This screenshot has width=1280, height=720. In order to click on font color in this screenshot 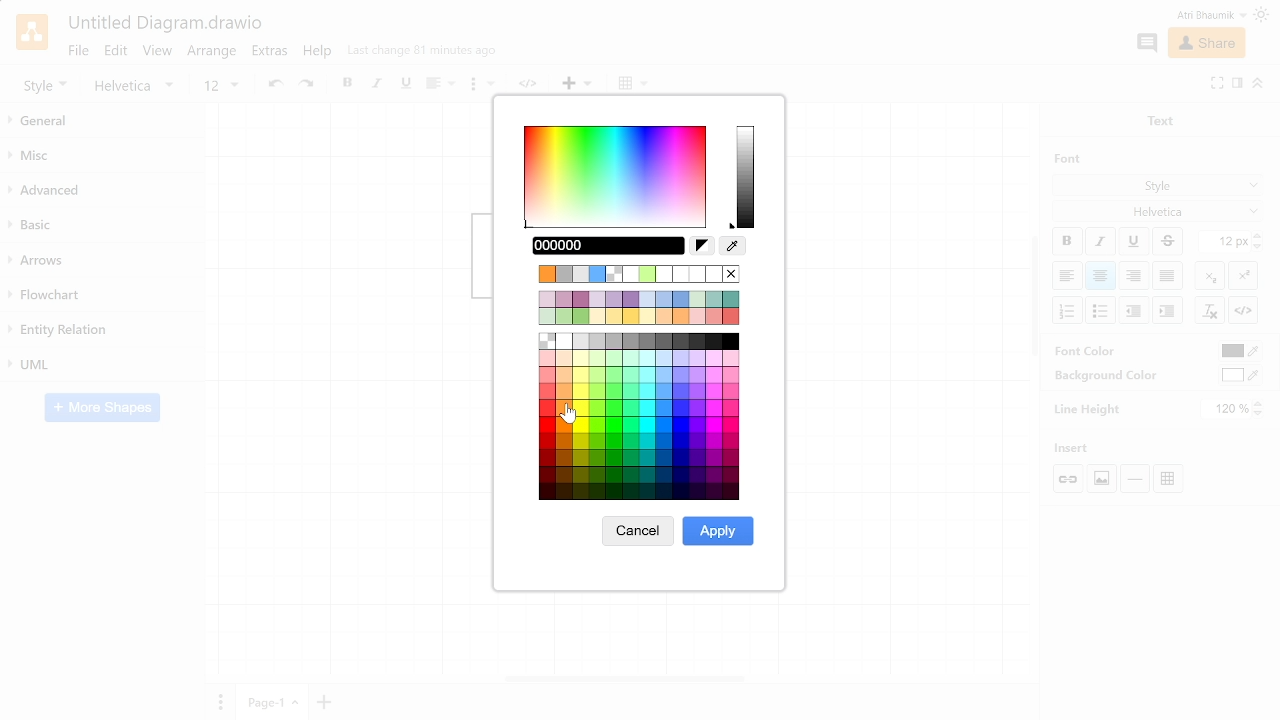, I will do `click(1087, 350)`.